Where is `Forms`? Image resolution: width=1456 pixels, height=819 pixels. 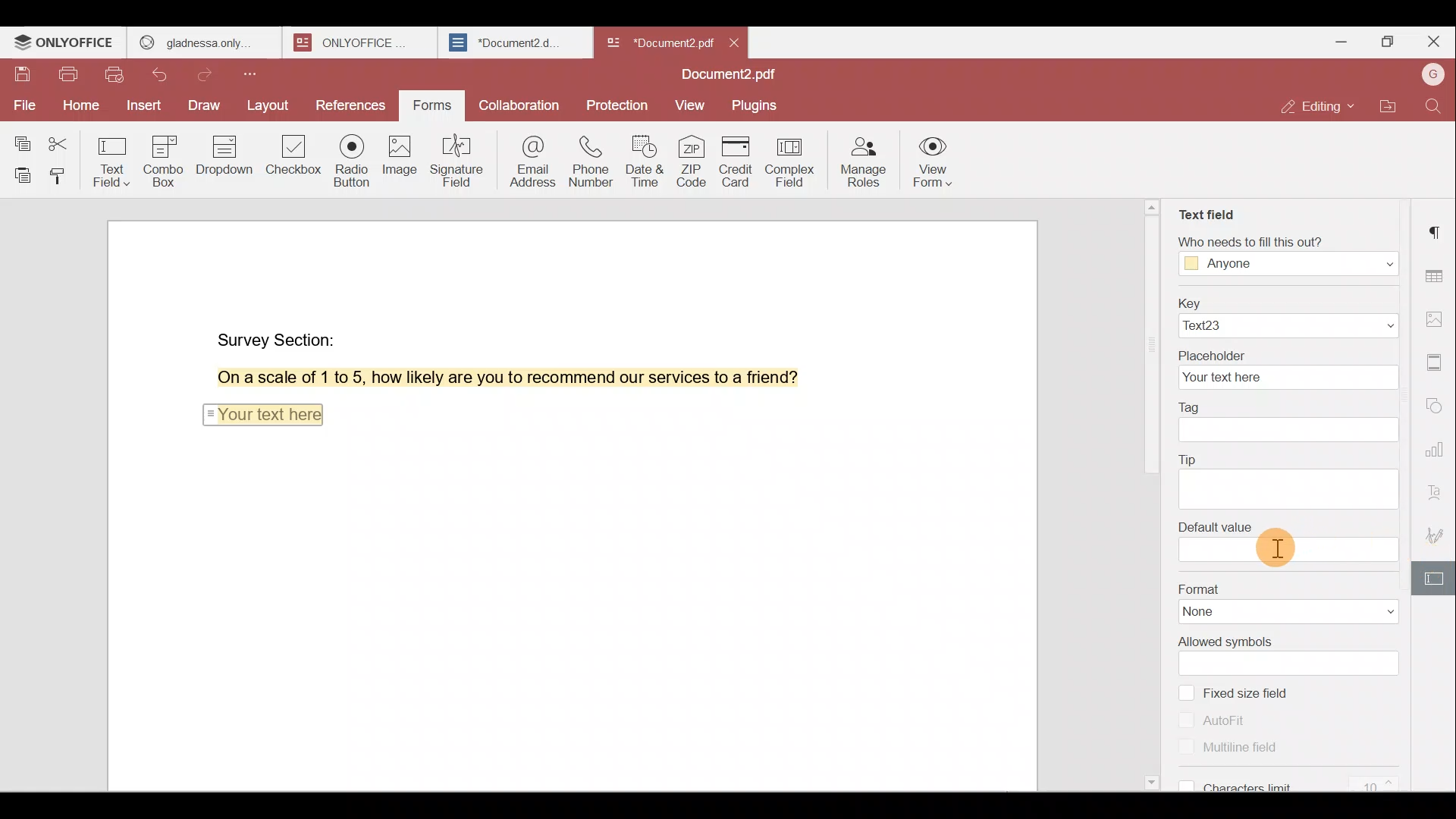
Forms is located at coordinates (434, 106).